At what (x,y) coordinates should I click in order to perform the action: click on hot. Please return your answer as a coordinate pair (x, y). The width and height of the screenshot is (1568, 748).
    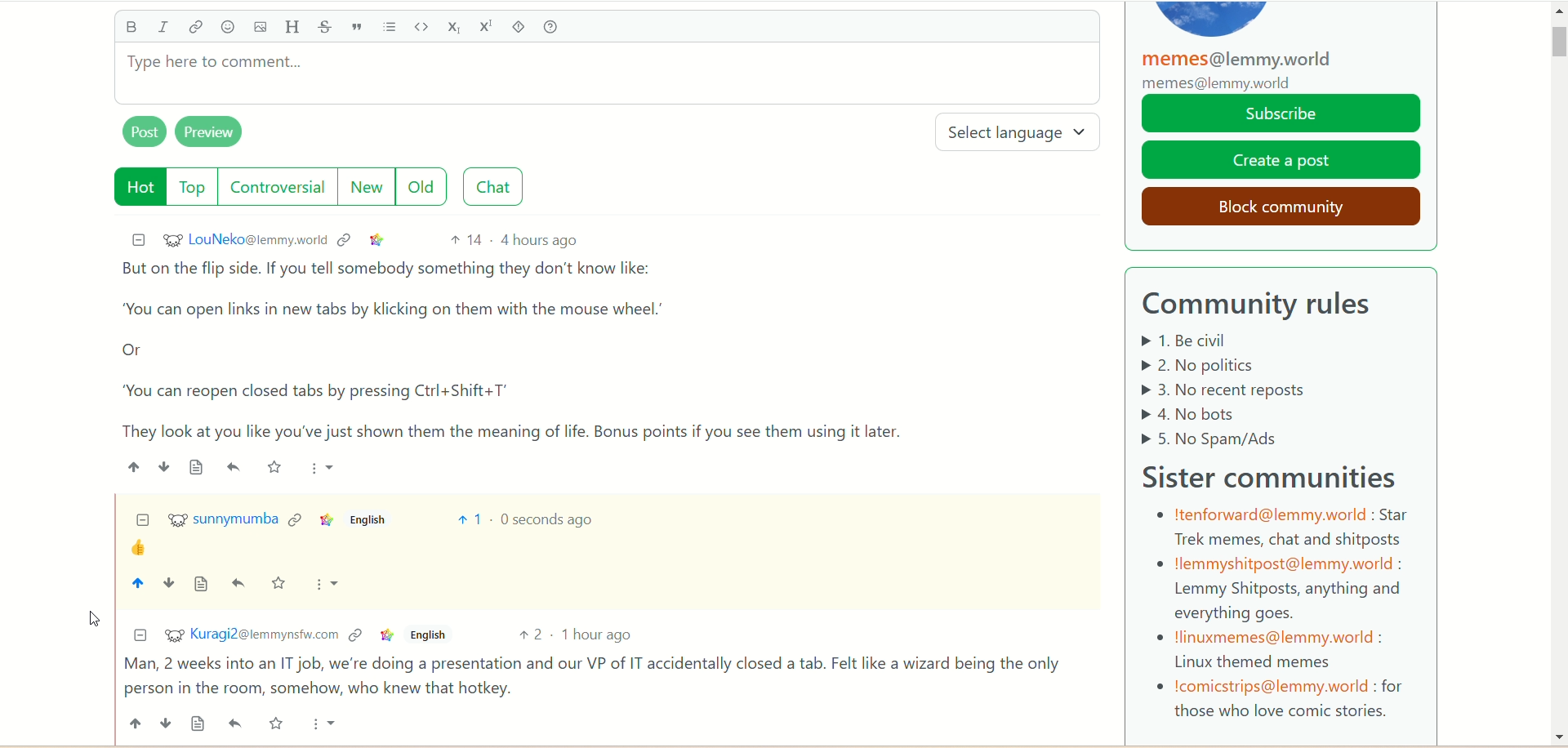
    Looking at the image, I should click on (133, 186).